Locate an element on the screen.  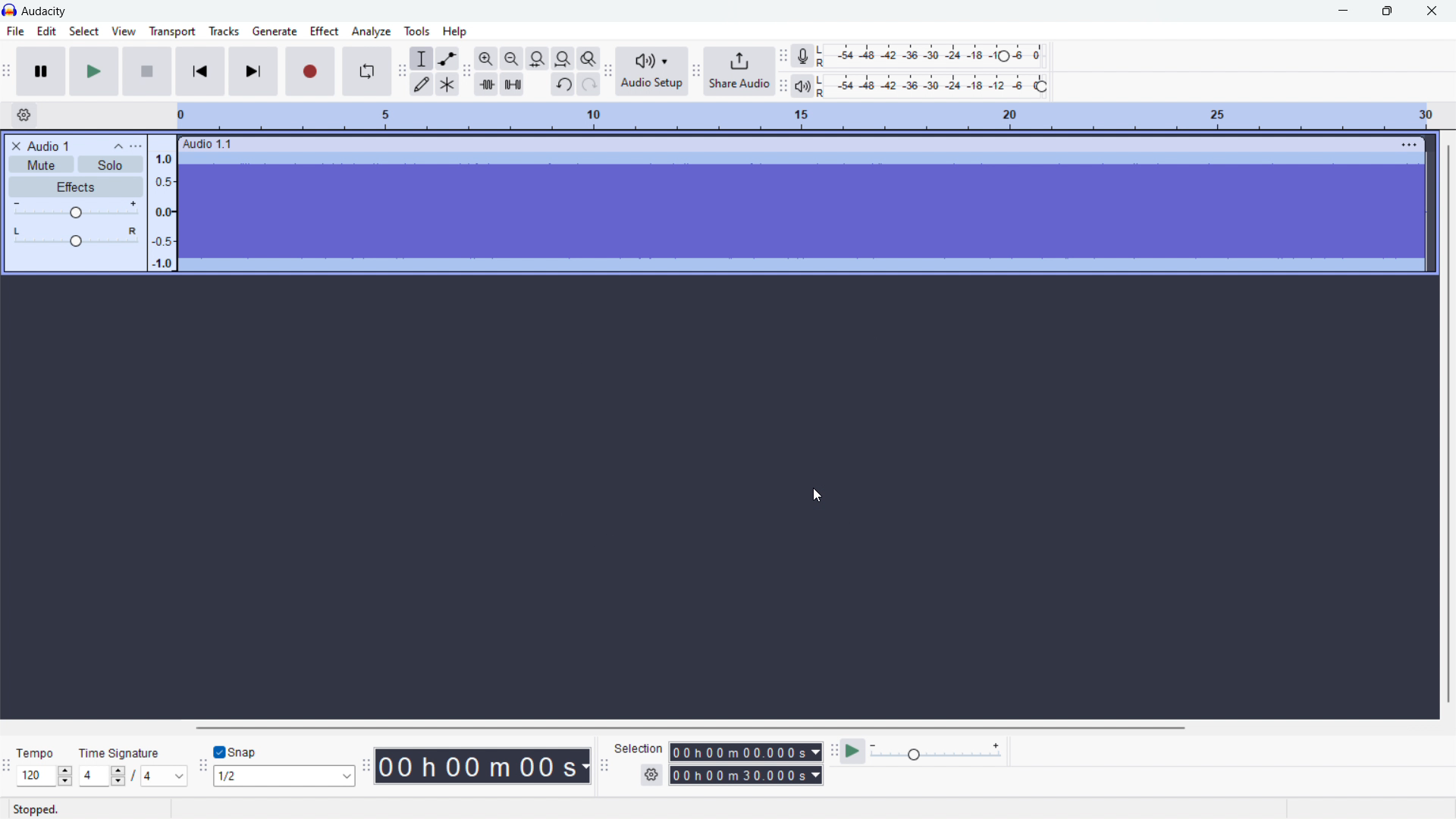
file is located at coordinates (14, 31).